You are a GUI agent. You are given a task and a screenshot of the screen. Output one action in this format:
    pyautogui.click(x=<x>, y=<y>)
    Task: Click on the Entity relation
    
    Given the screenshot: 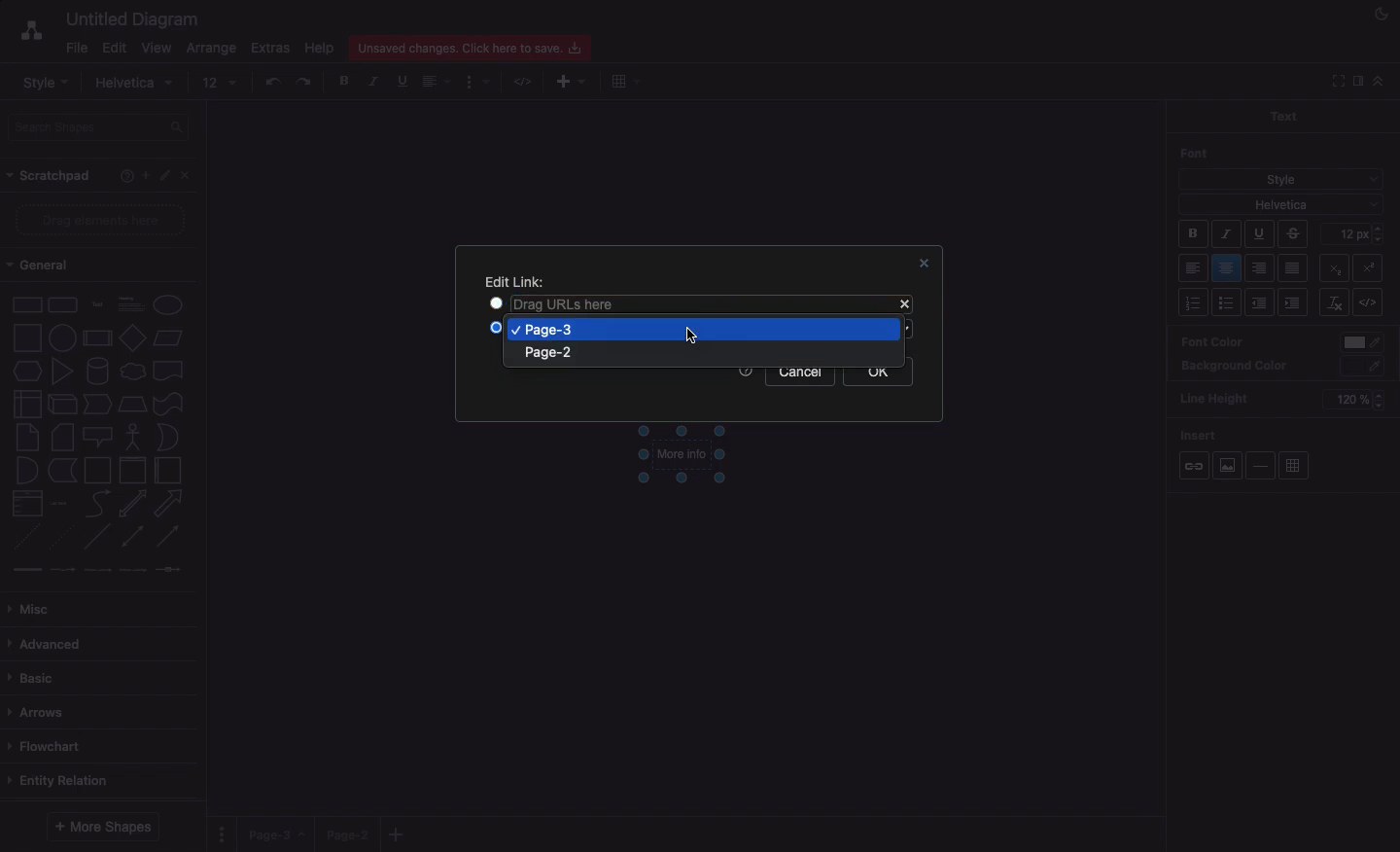 What is the action you would take?
    pyautogui.click(x=61, y=782)
    